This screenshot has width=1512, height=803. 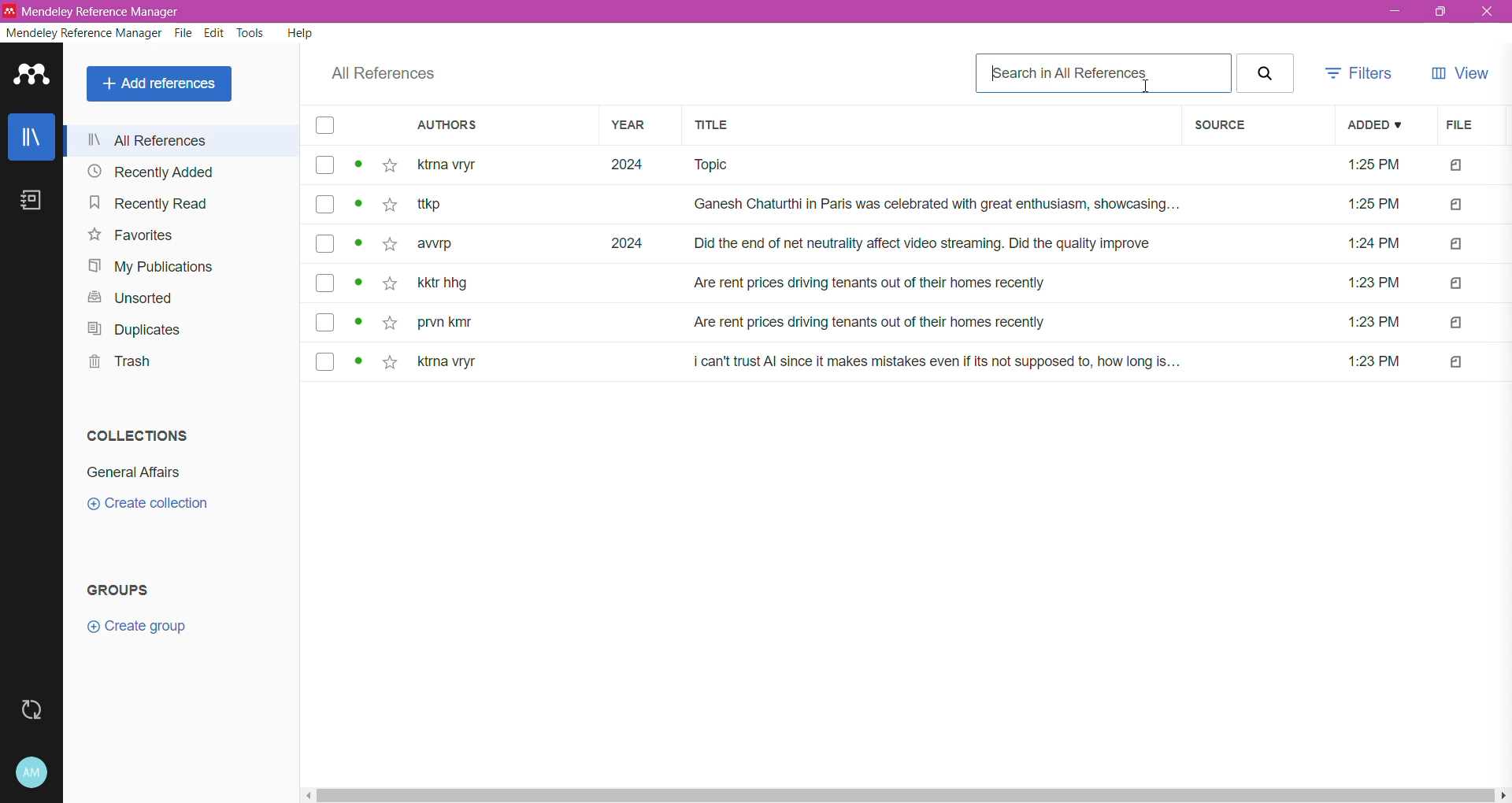 I want to click on Groups, so click(x=128, y=590).